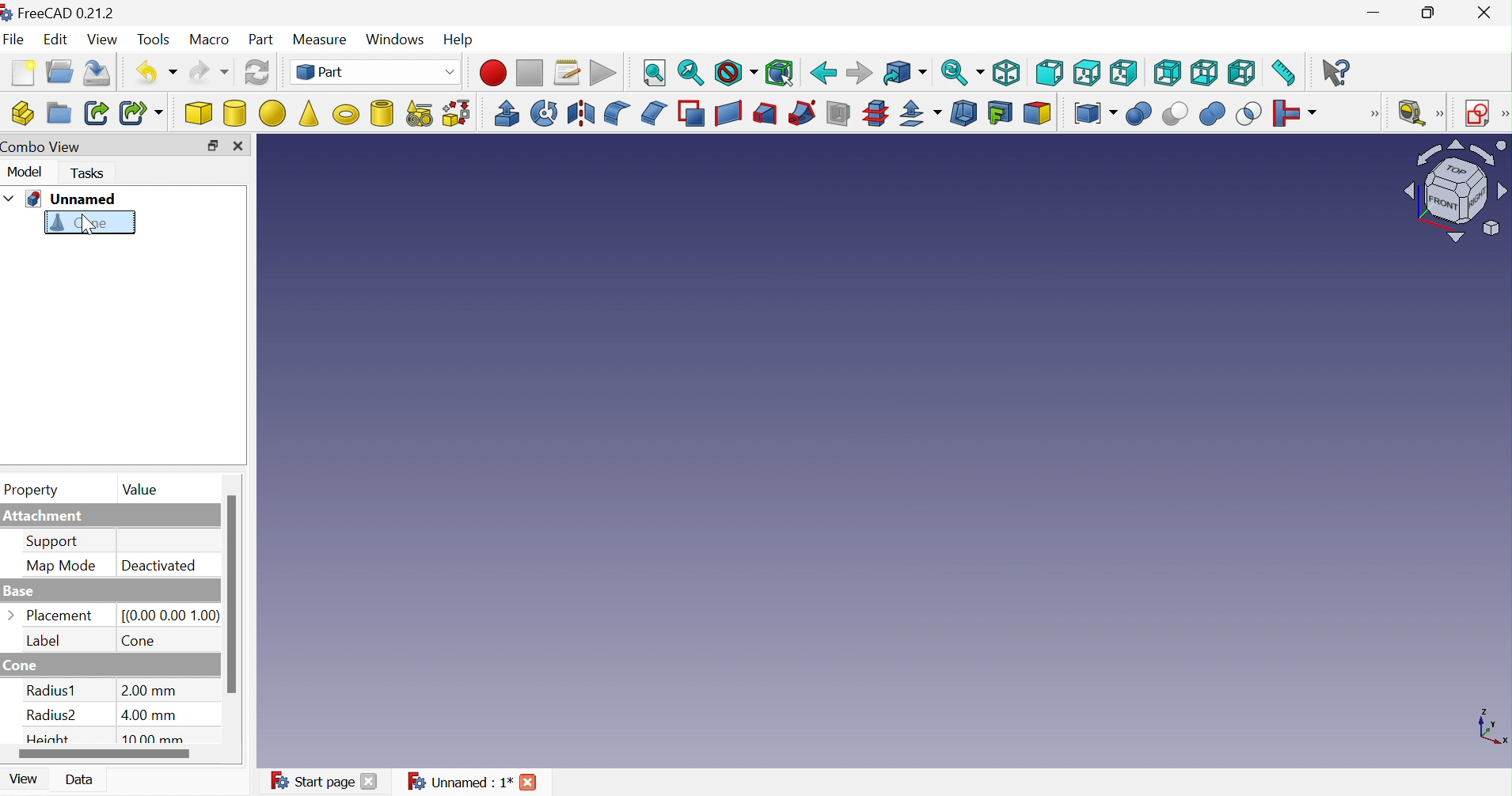 The height and width of the screenshot is (796, 1512). I want to click on Start page, so click(311, 781).